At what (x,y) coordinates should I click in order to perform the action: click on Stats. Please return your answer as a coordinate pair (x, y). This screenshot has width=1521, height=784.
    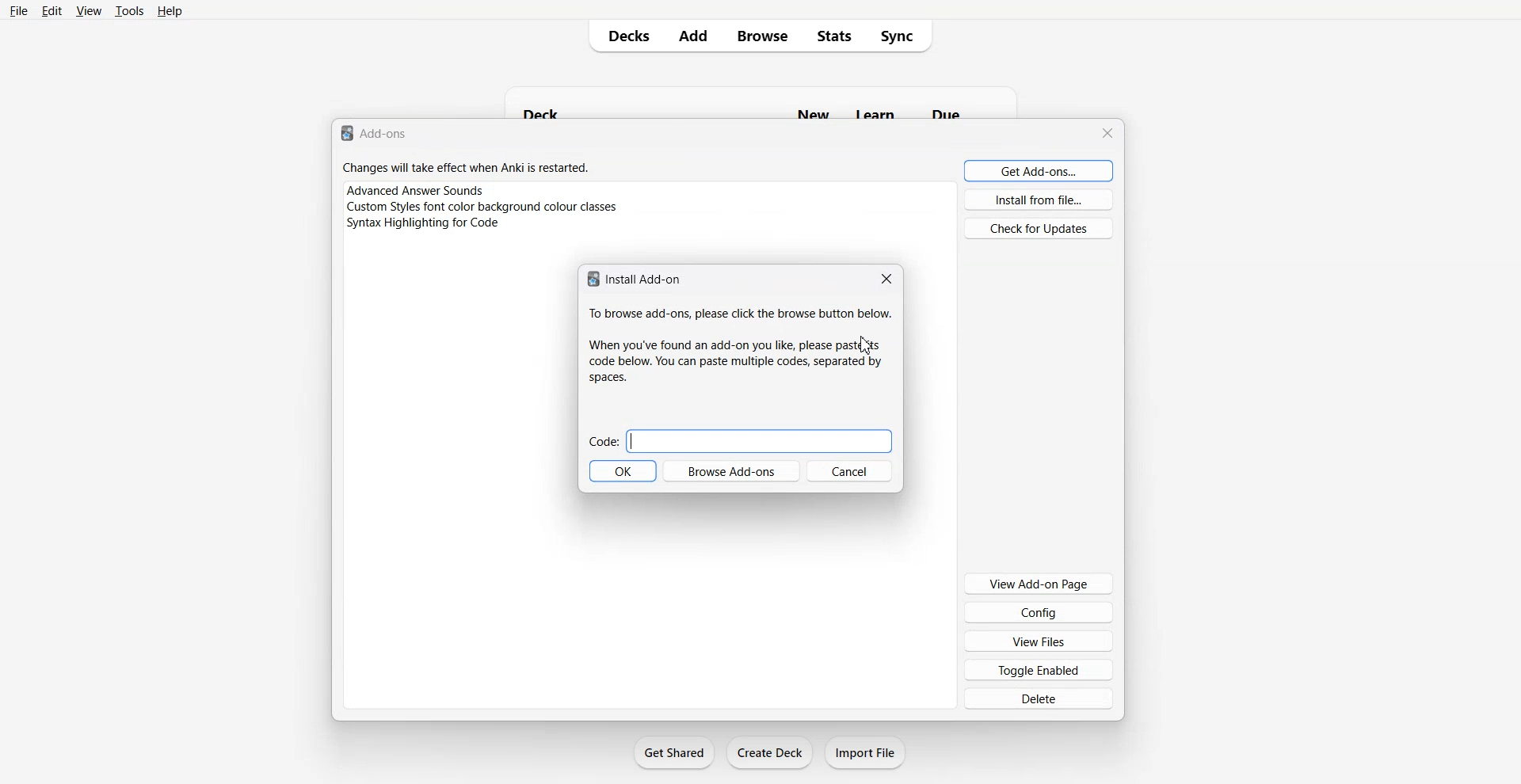
    Looking at the image, I should click on (833, 36).